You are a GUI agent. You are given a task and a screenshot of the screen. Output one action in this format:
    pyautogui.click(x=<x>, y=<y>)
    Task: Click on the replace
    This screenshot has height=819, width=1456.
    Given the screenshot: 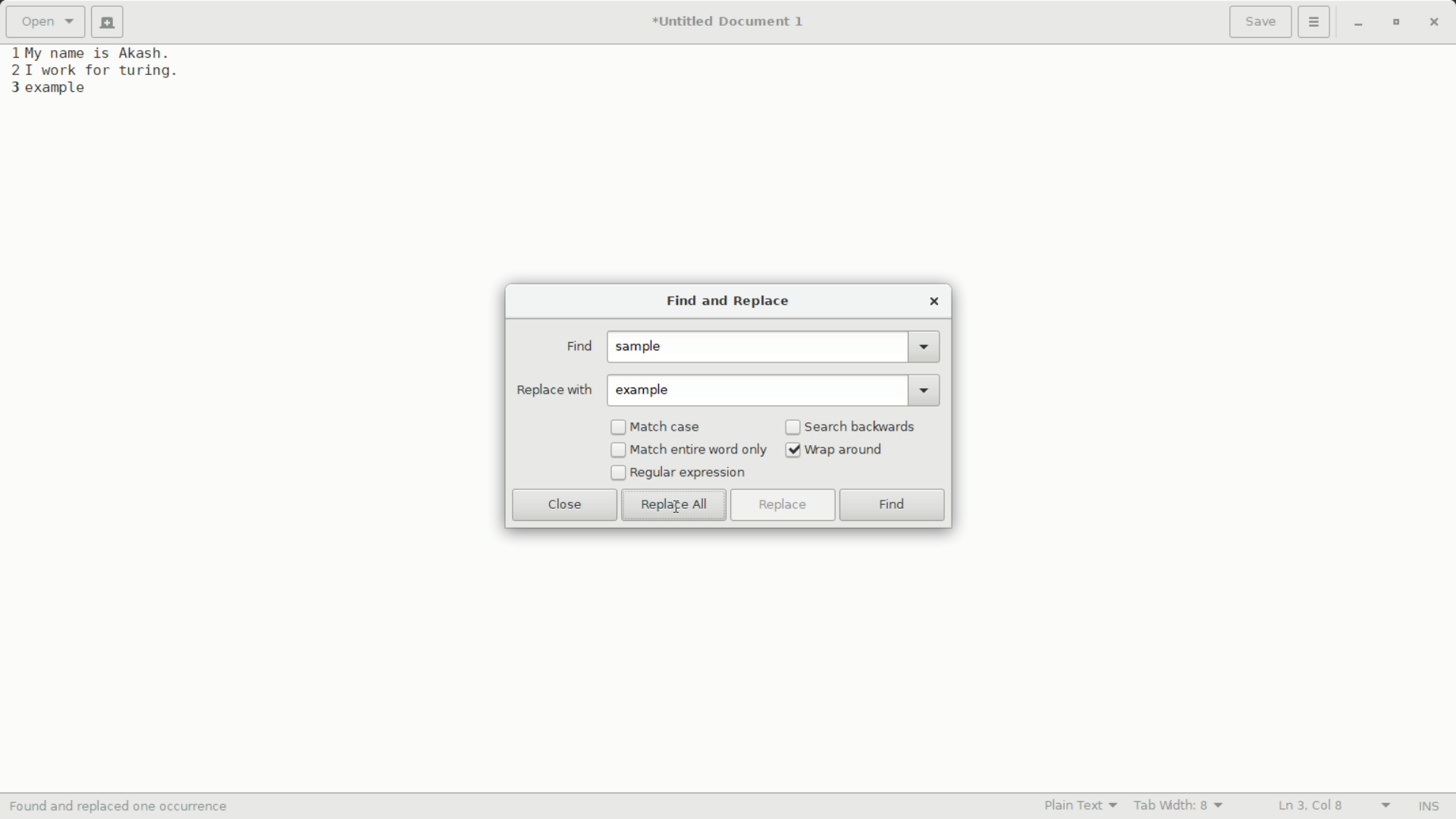 What is the action you would take?
    pyautogui.click(x=781, y=505)
    